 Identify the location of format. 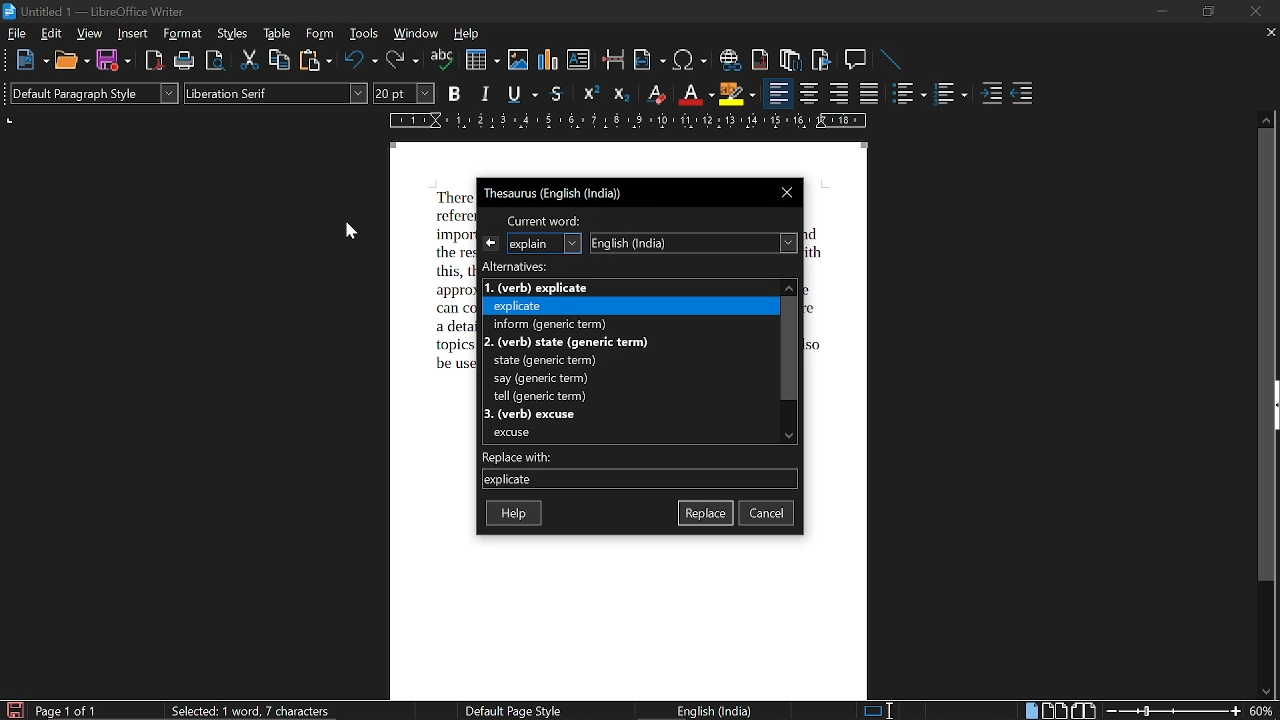
(184, 35).